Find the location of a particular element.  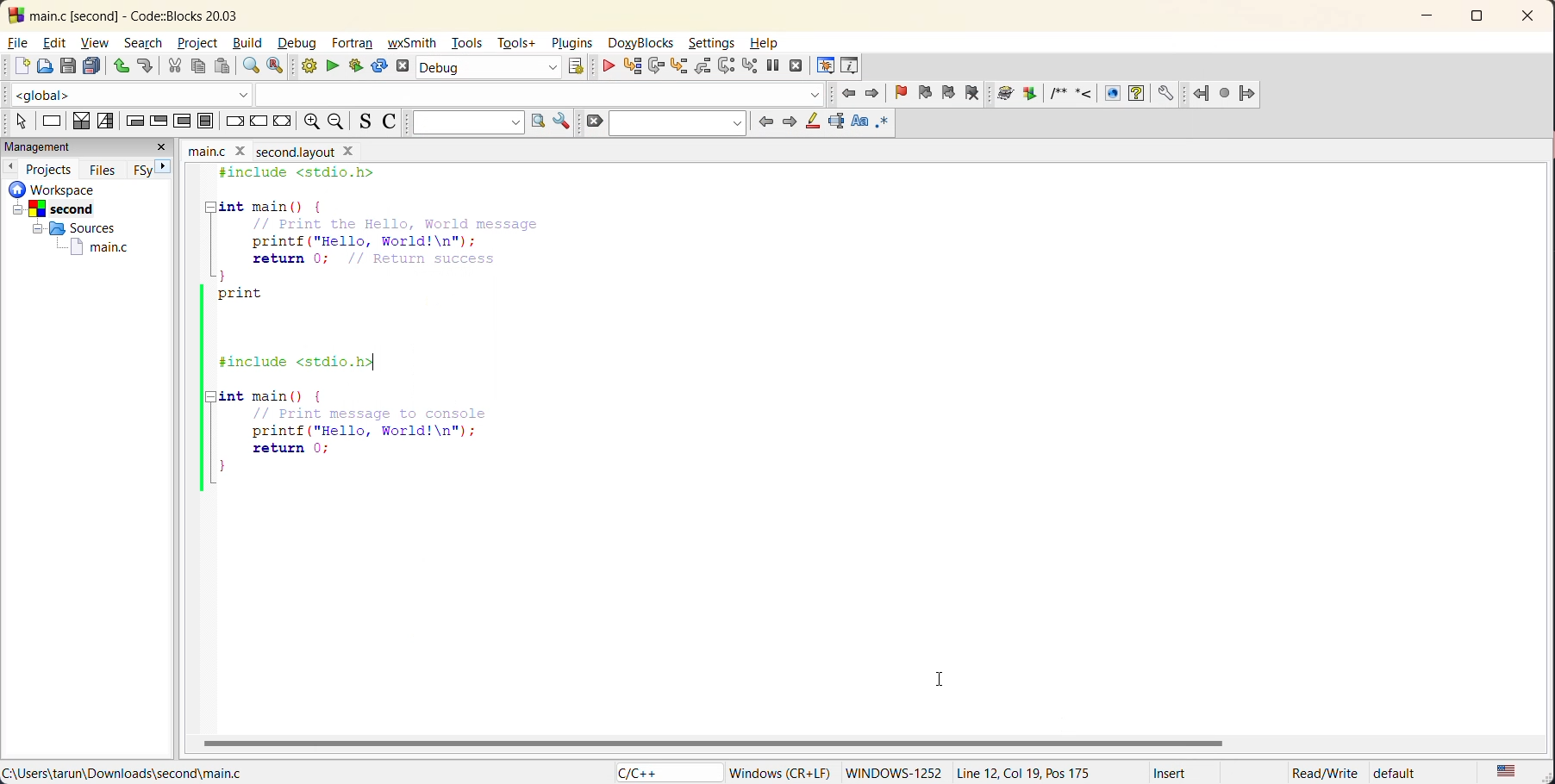

break debugger is located at coordinates (774, 68).